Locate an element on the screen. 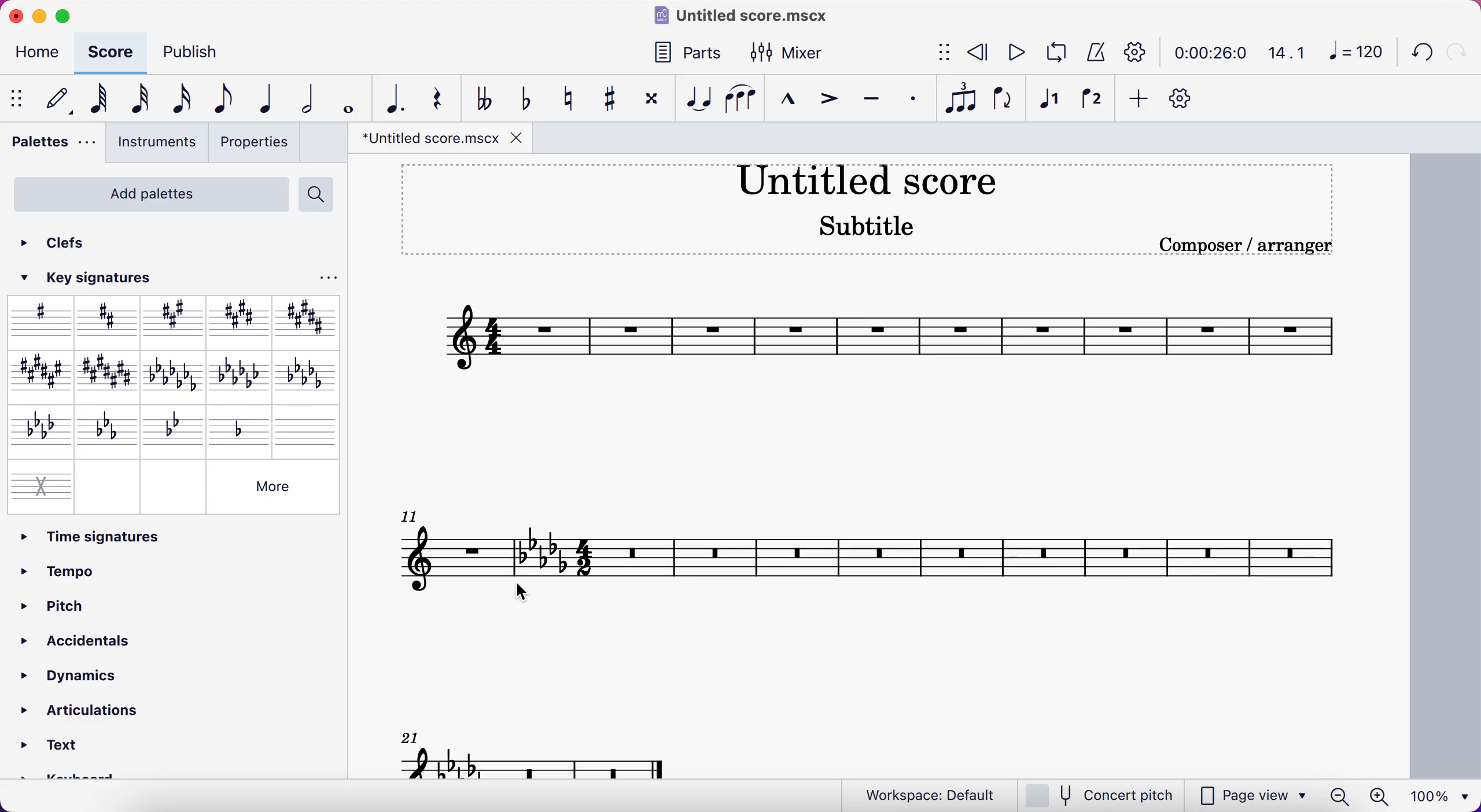 The width and height of the screenshot is (1481, 812). B minor is located at coordinates (306, 376).